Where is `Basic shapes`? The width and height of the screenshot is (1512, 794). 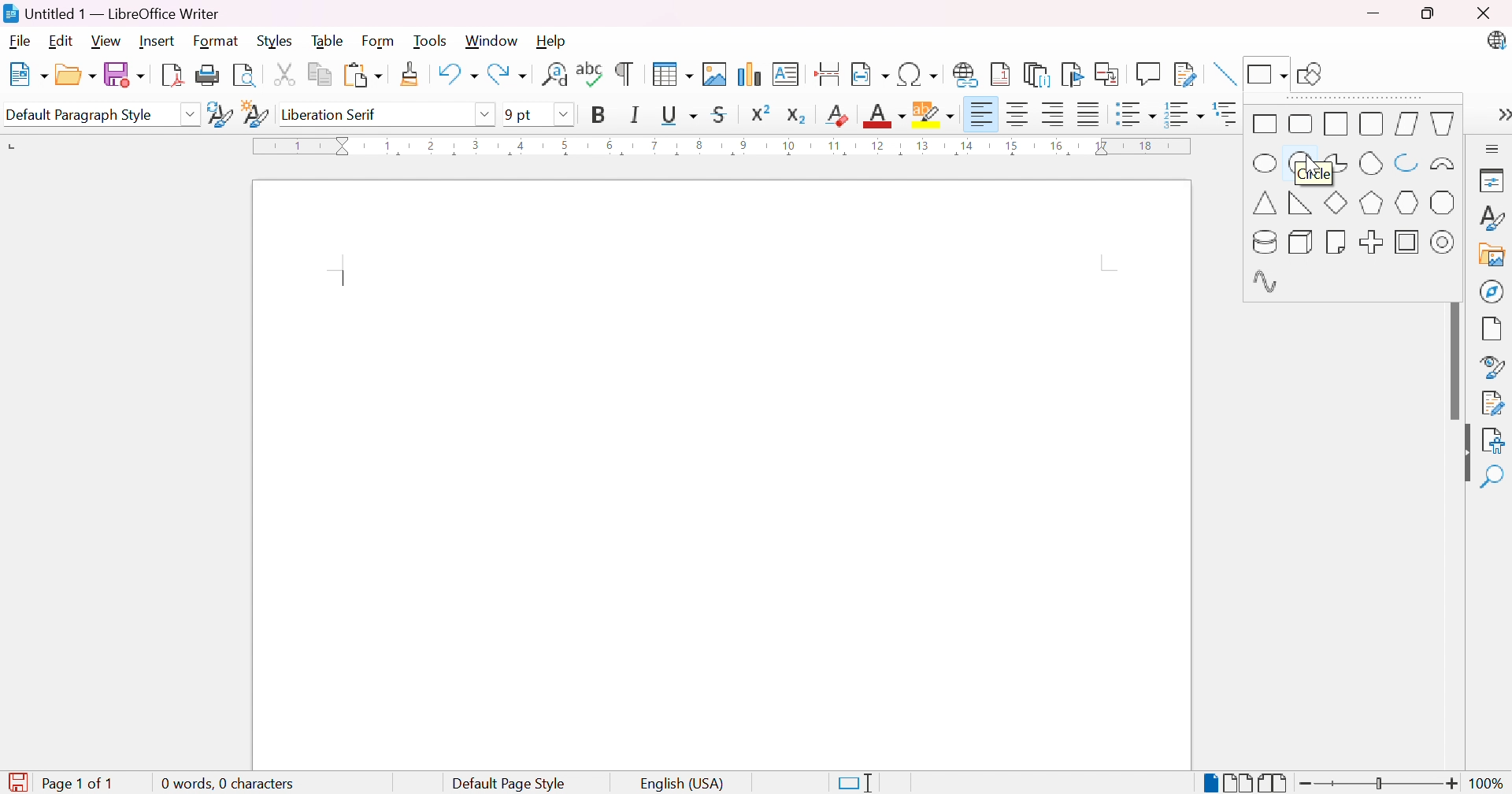 Basic shapes is located at coordinates (1266, 72).